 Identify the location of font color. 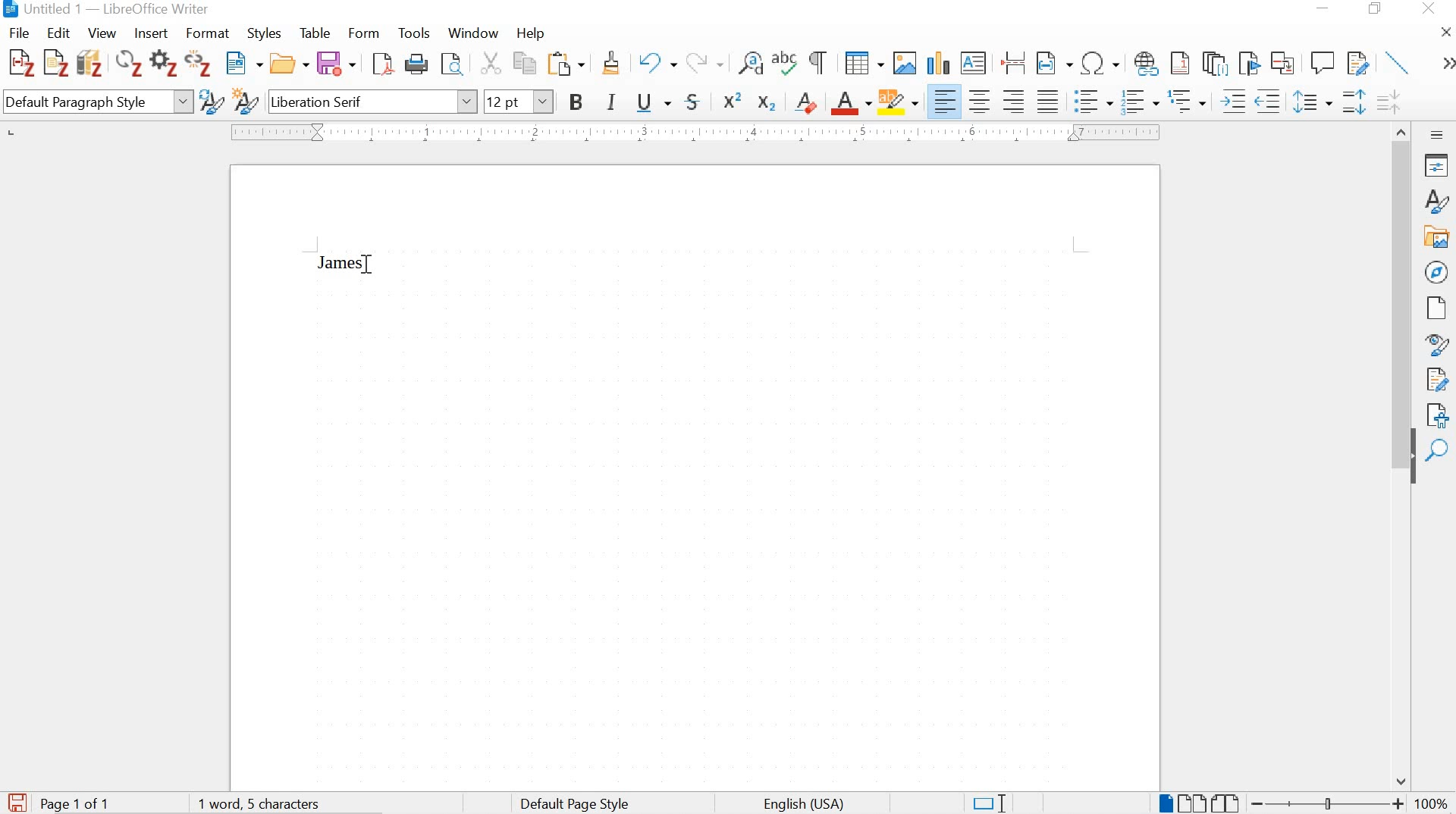
(851, 104).